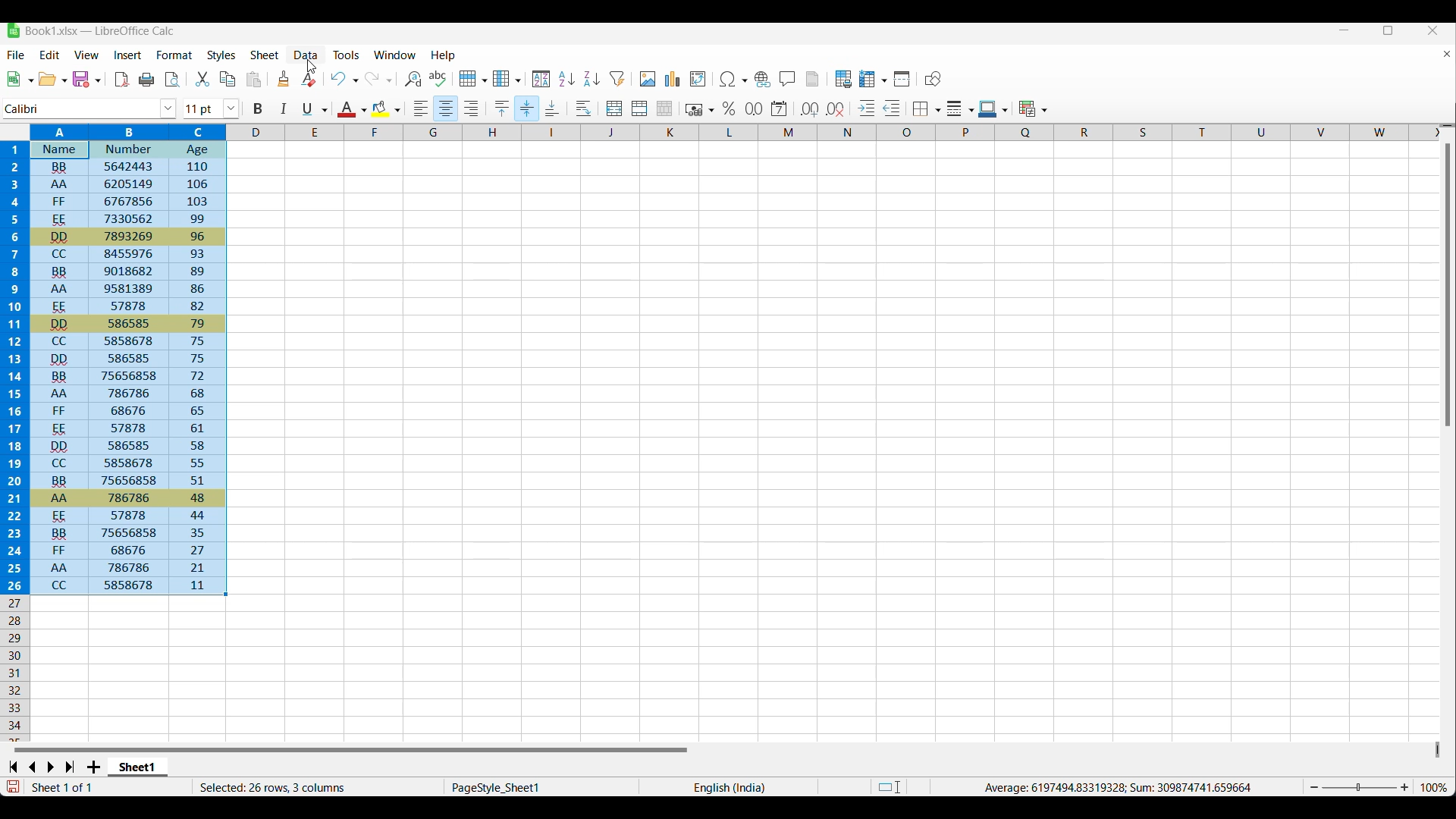  I want to click on Autofilter, so click(618, 79).